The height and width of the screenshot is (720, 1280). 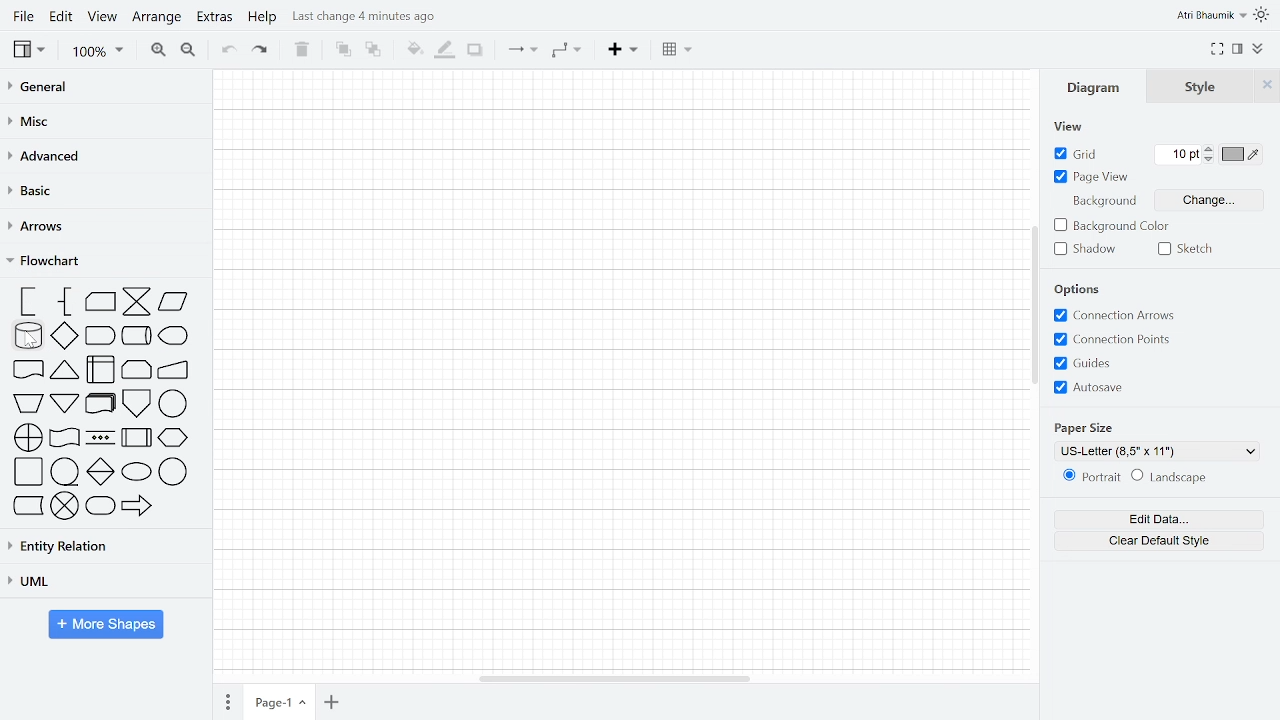 What do you see at coordinates (66, 303) in the screenshot?
I see `annotation` at bounding box center [66, 303].